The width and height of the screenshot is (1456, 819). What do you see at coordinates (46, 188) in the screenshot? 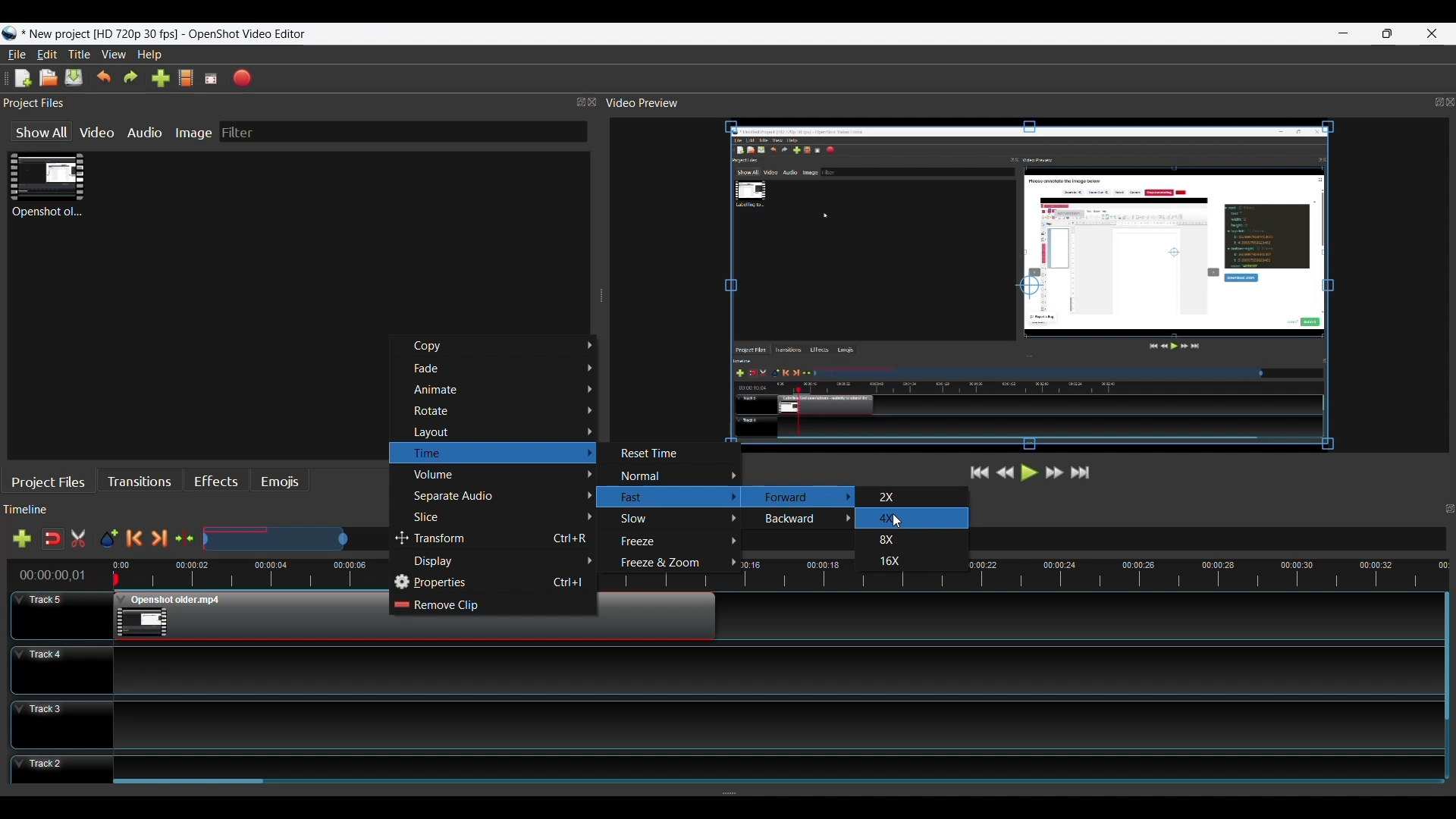
I see `Clip` at bounding box center [46, 188].